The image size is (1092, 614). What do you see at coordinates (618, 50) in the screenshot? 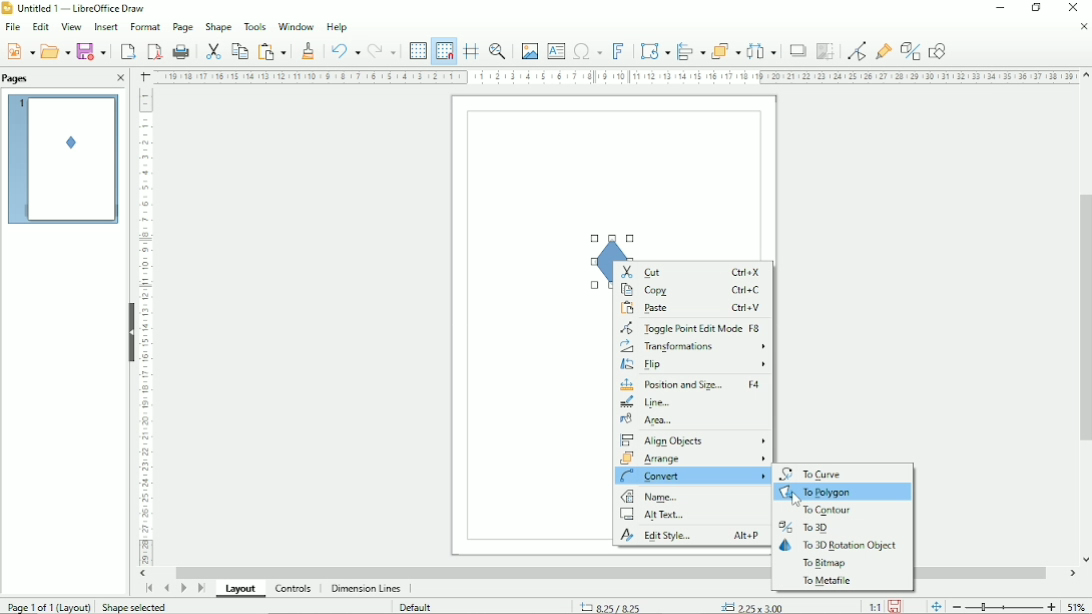
I see `Insert fontwork text` at bounding box center [618, 50].